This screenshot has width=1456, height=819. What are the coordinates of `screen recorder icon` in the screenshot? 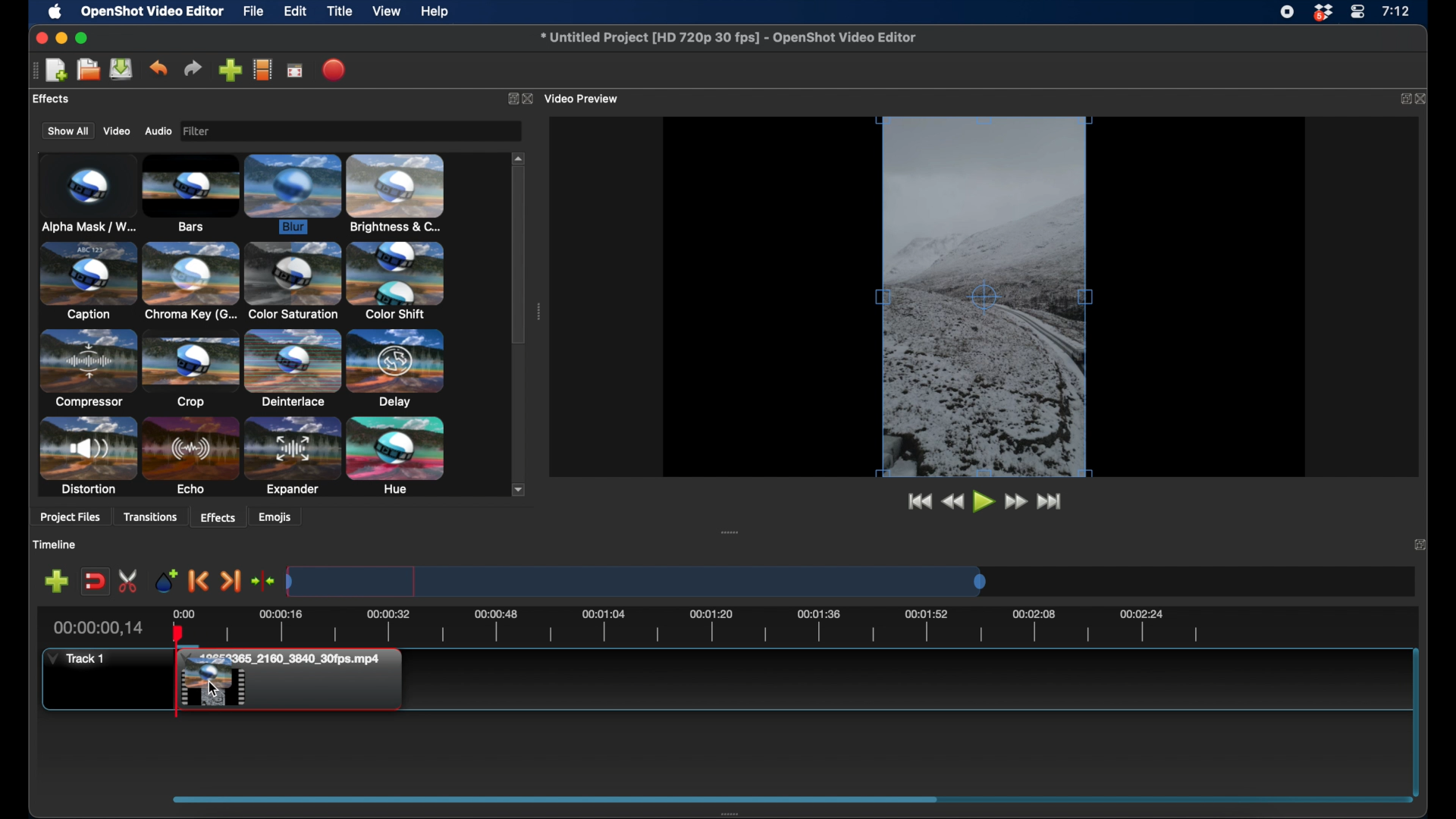 It's located at (1287, 12).